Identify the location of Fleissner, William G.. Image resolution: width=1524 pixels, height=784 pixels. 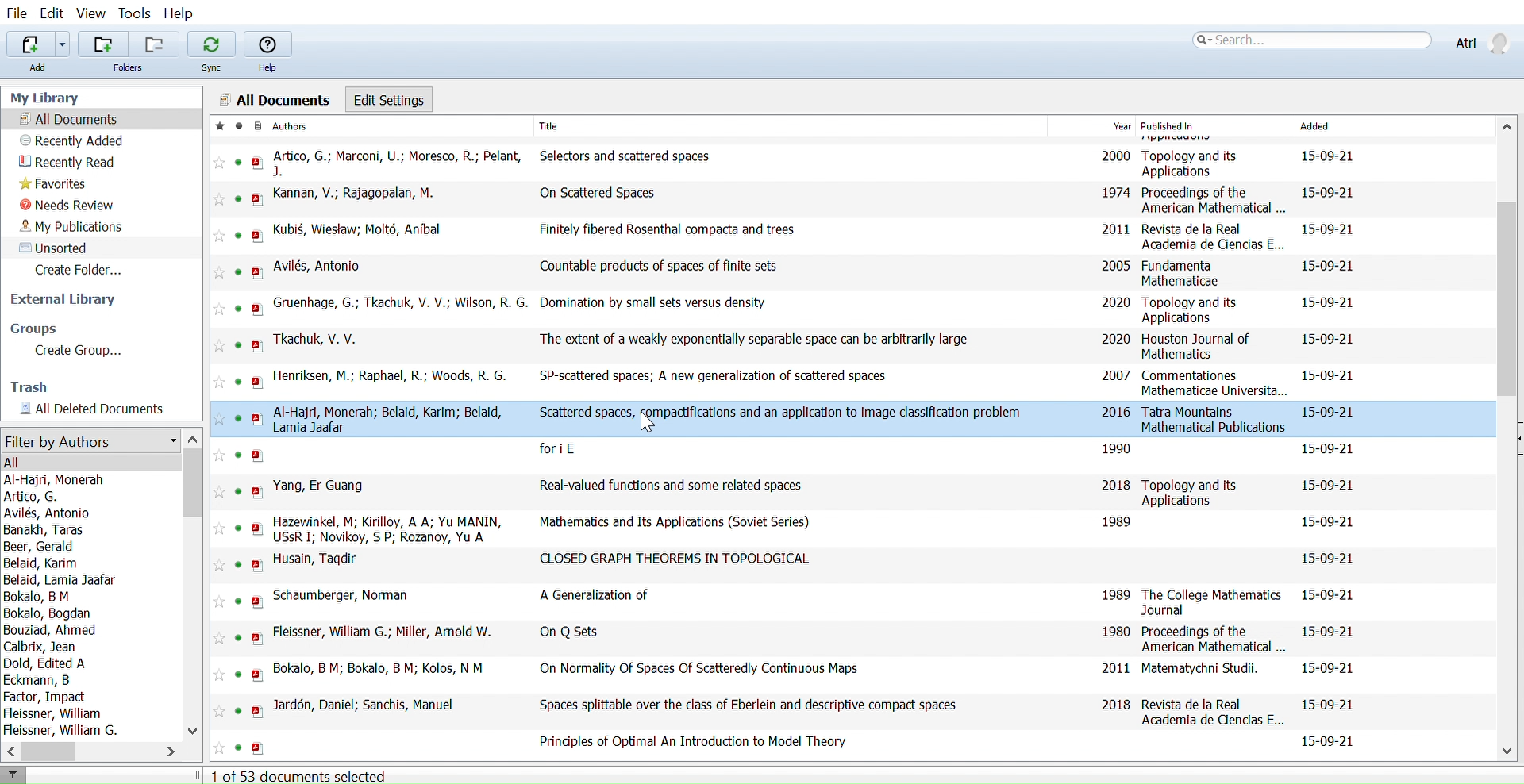
(60, 730).